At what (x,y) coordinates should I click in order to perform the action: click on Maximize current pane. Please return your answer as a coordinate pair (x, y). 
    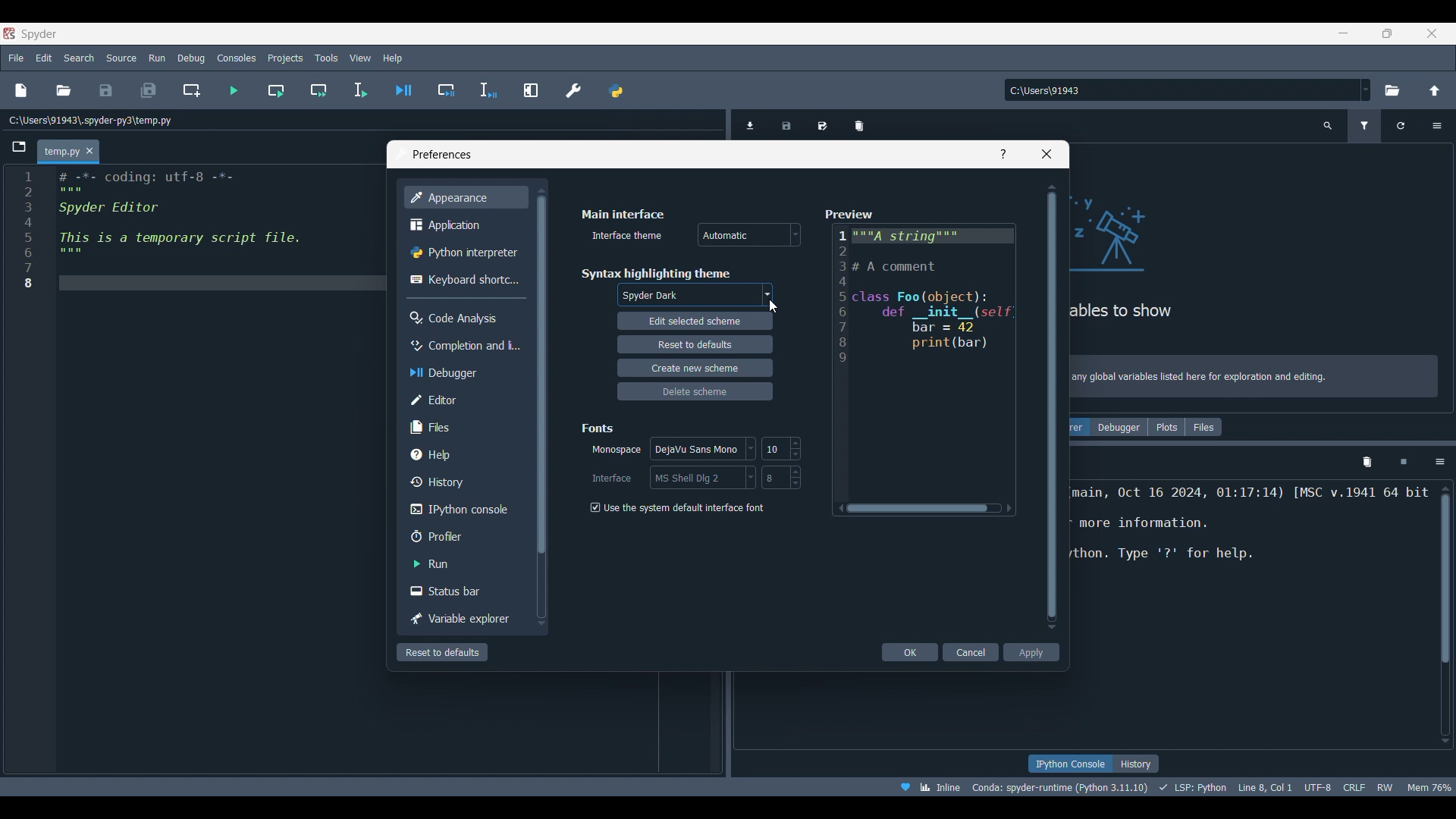
    Looking at the image, I should click on (531, 90).